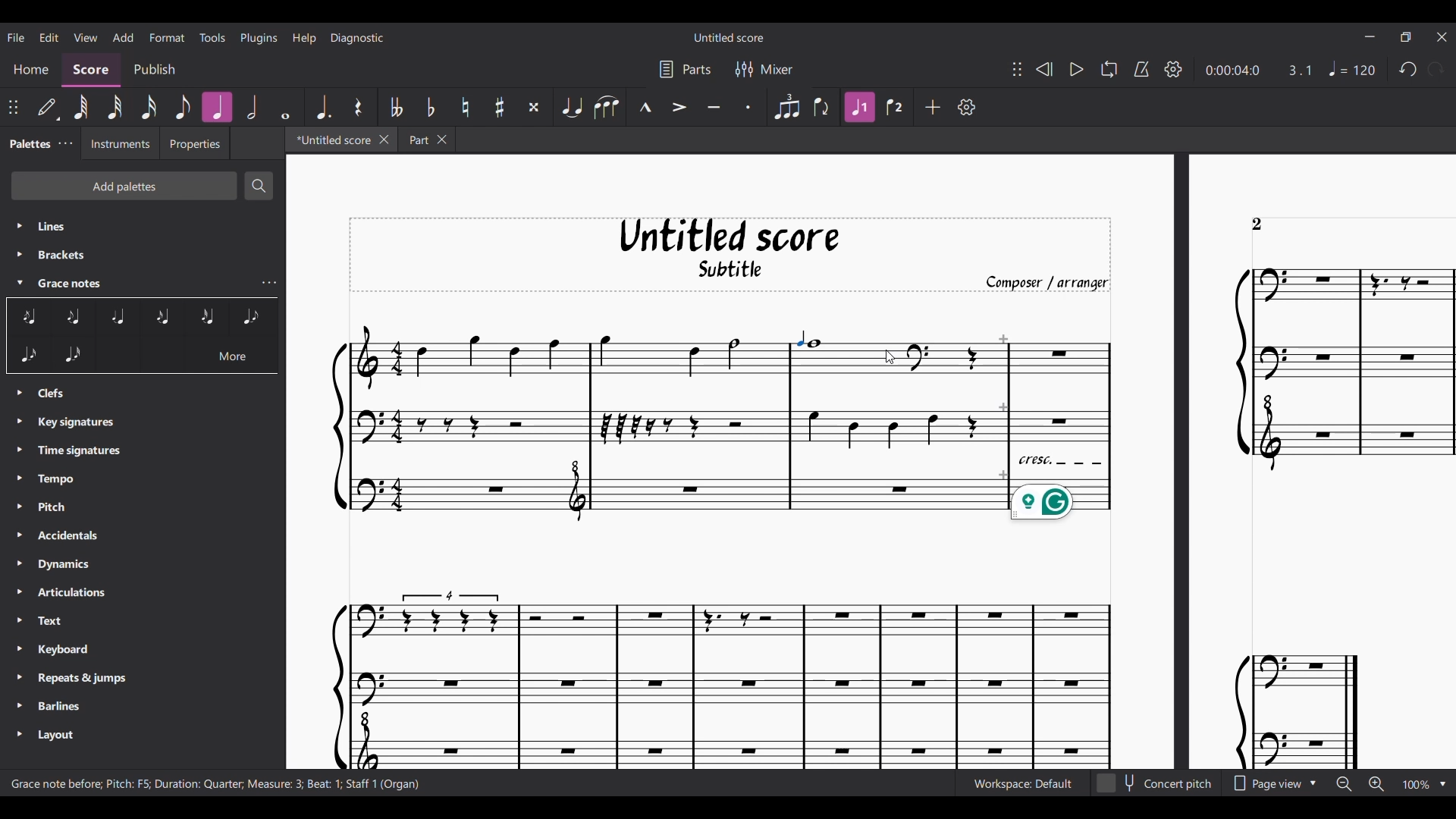  Describe the element at coordinates (183, 108) in the screenshot. I see `8th note` at that location.